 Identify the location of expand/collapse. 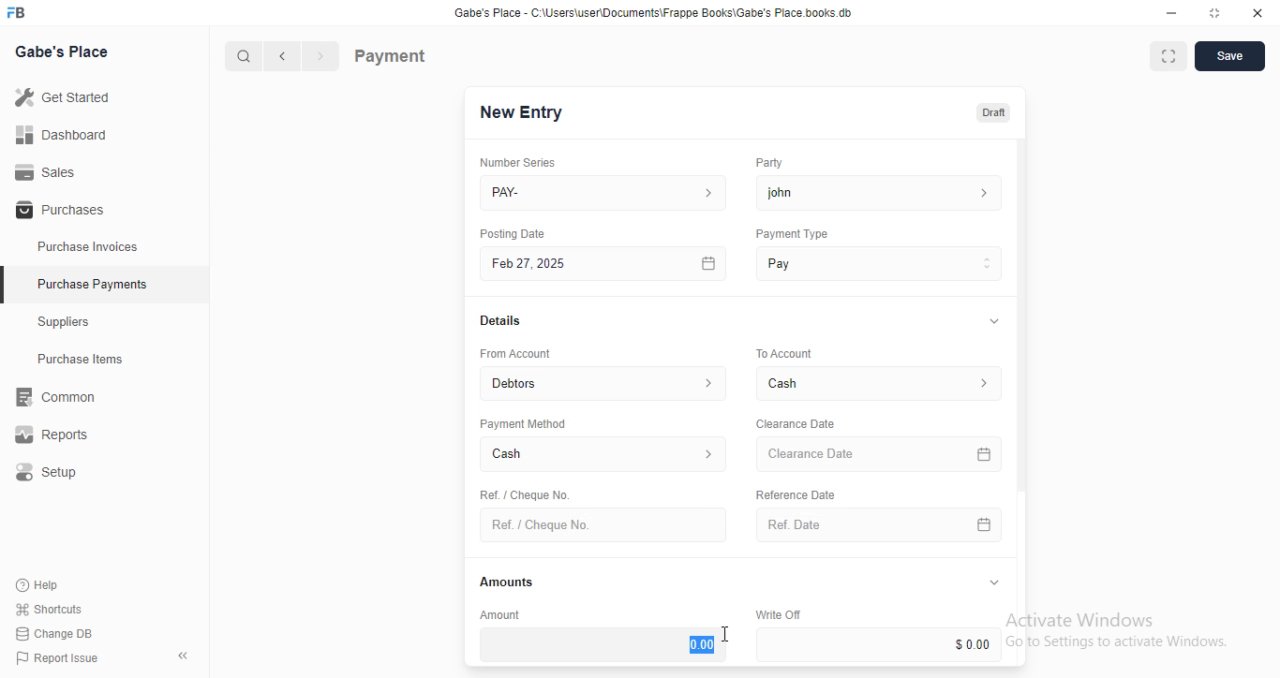
(993, 583).